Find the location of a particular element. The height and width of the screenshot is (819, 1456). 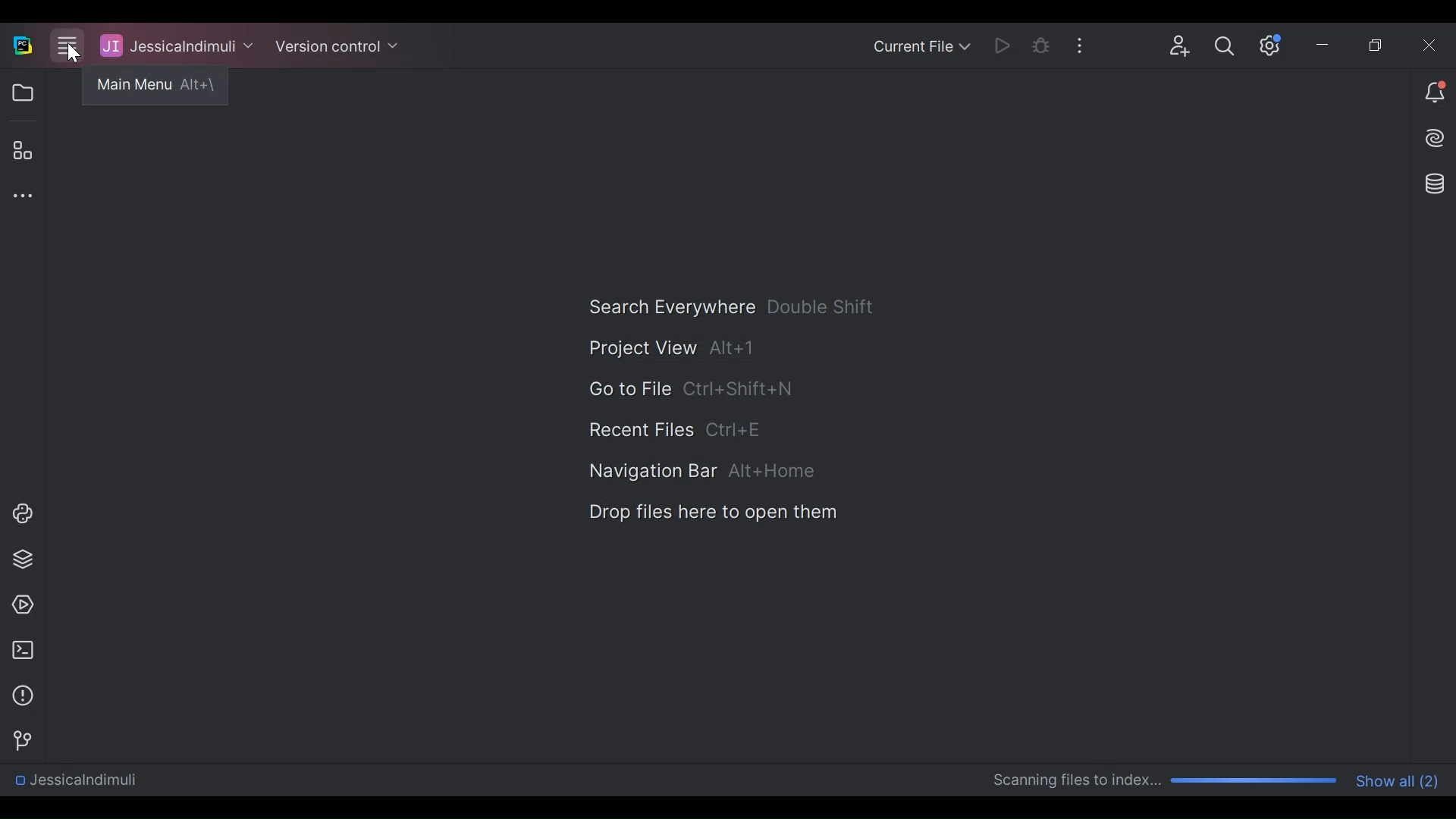

Settings is located at coordinates (1266, 44).